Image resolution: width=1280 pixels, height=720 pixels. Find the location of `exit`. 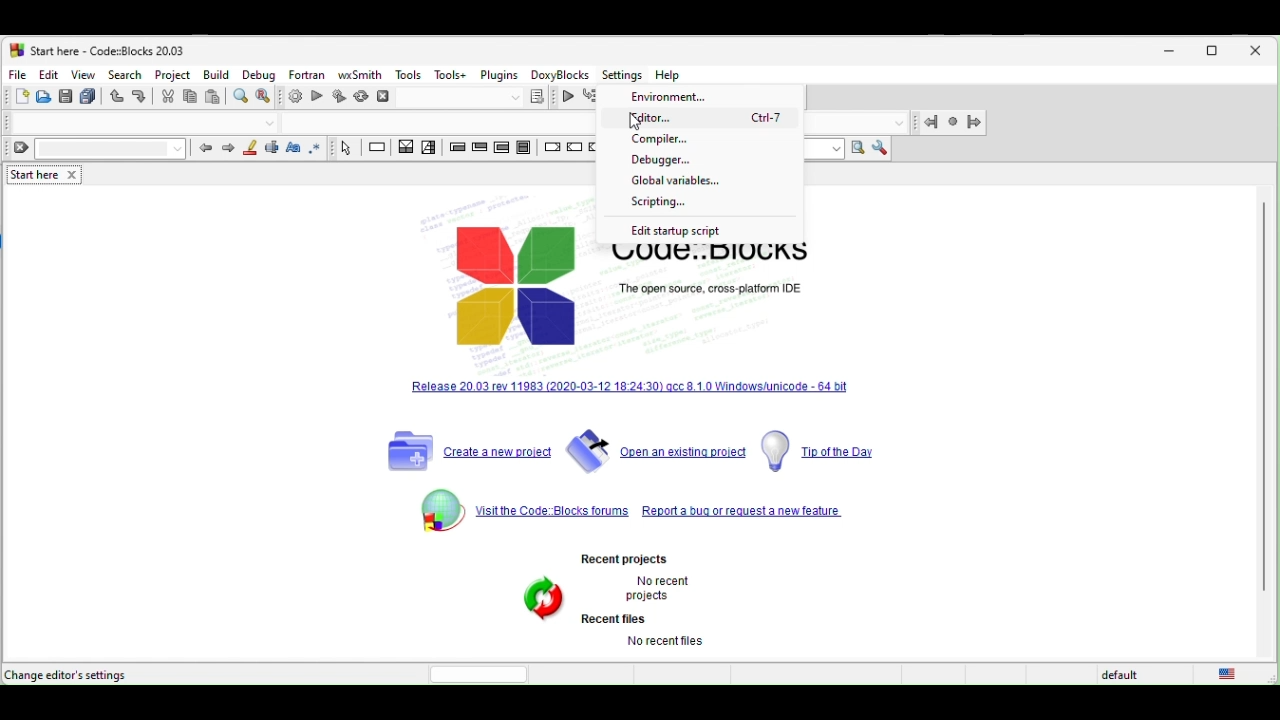

exit is located at coordinates (482, 149).